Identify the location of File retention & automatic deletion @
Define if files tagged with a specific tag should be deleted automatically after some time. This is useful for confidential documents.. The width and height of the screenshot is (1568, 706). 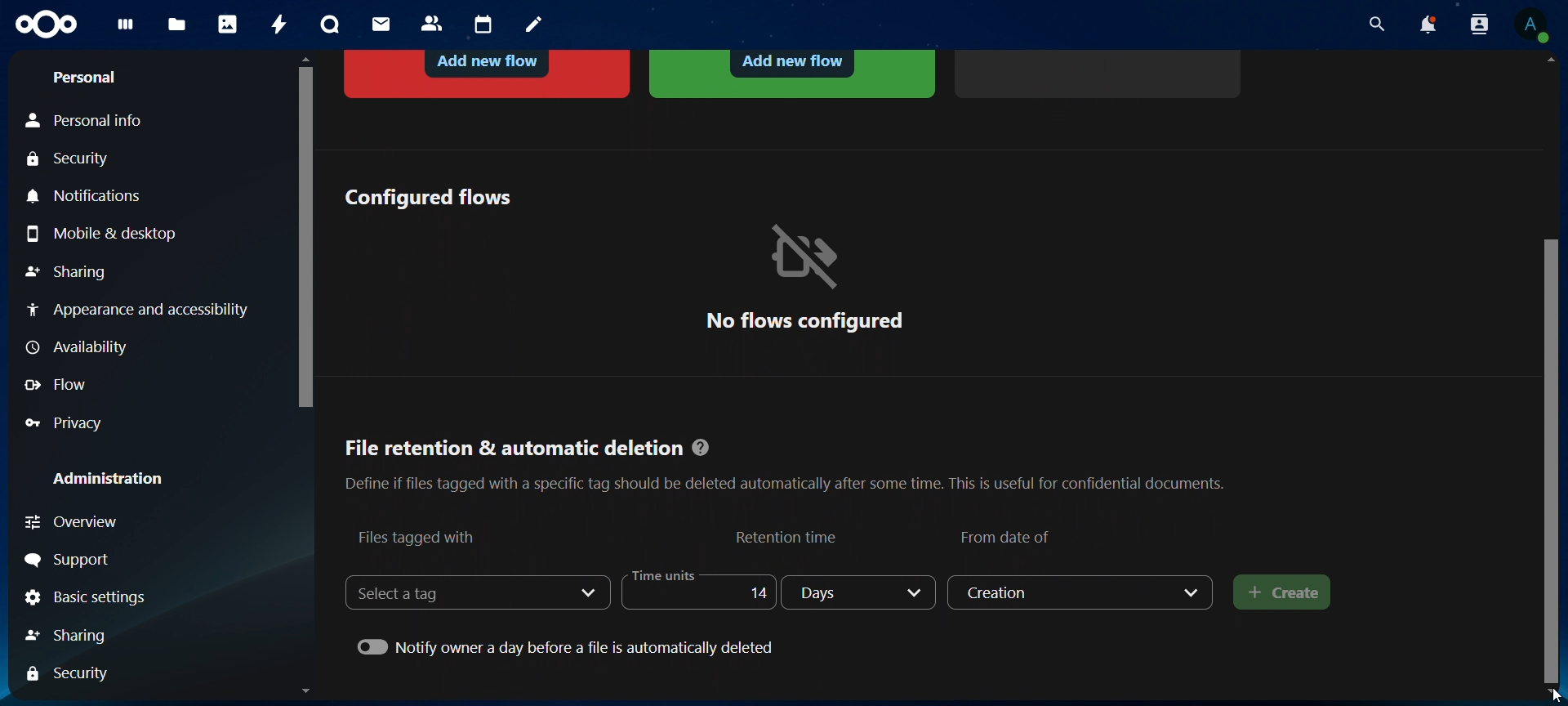
(784, 460).